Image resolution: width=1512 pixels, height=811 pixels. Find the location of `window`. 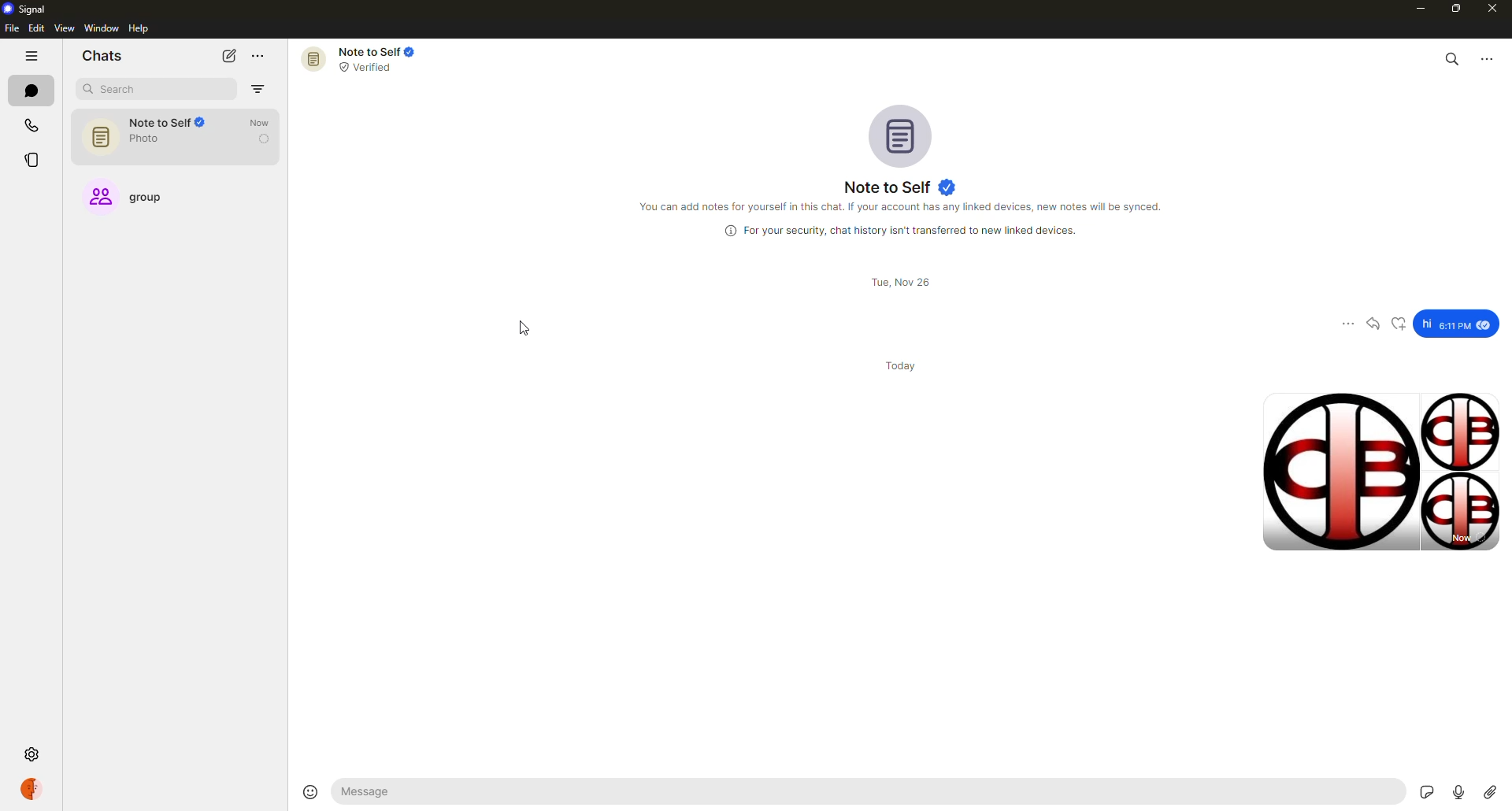

window is located at coordinates (102, 29).